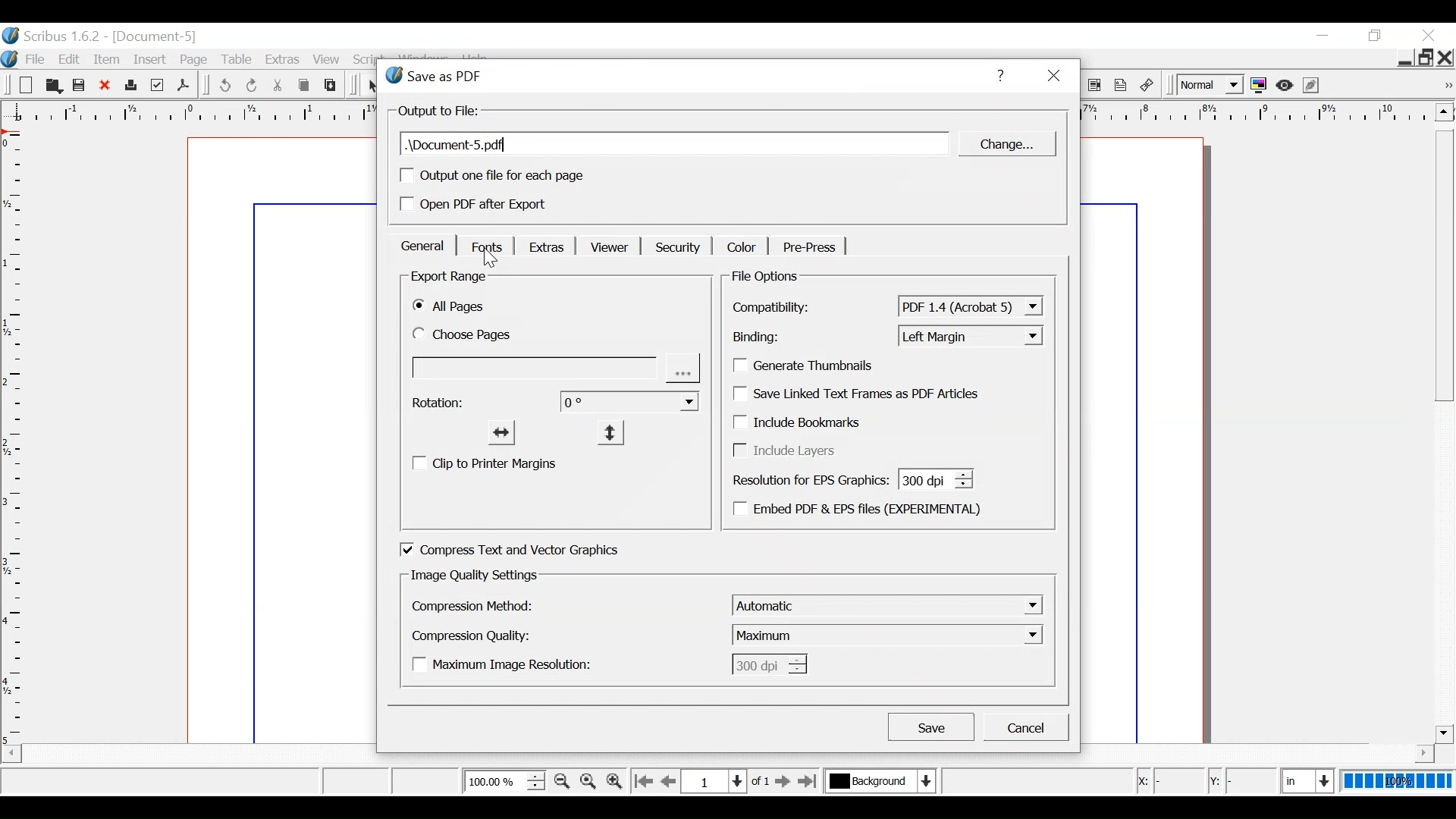 The image size is (1456, 819). I want to click on logo, so click(9, 58).